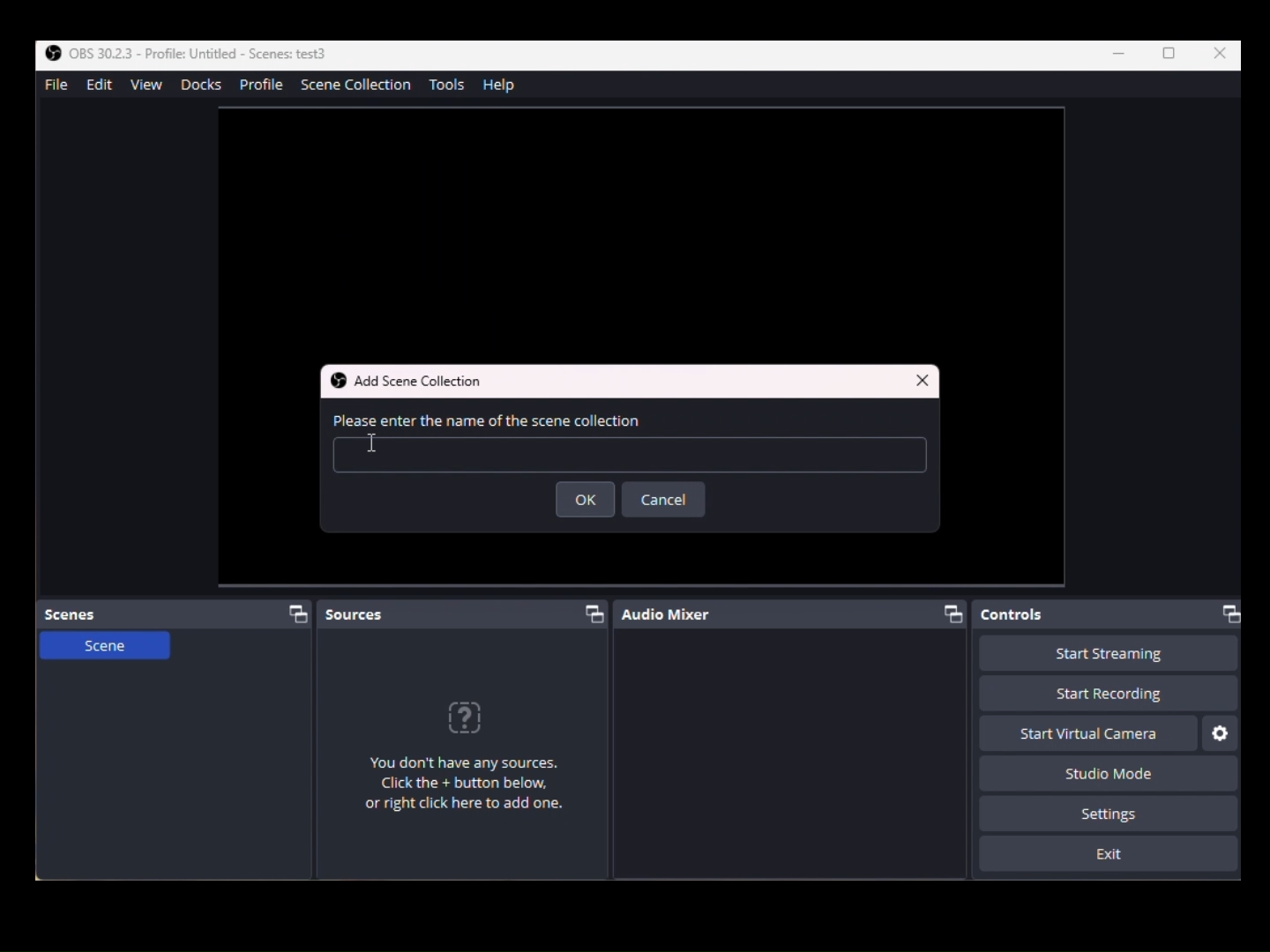 Image resolution: width=1270 pixels, height=952 pixels. Describe the element at coordinates (1221, 733) in the screenshot. I see `Settings` at that location.